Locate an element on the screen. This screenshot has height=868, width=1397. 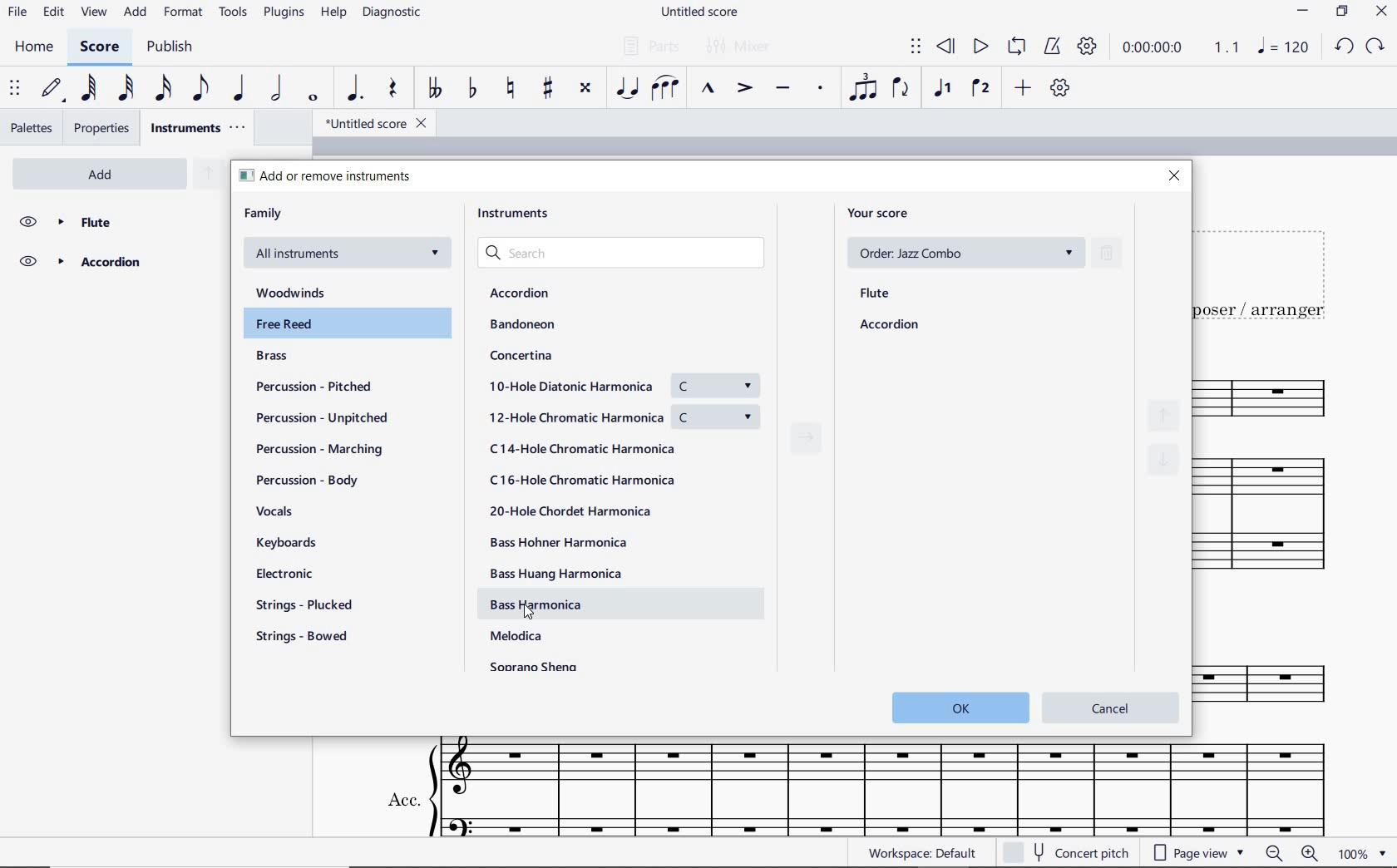
FILE NAME is located at coordinates (698, 13).